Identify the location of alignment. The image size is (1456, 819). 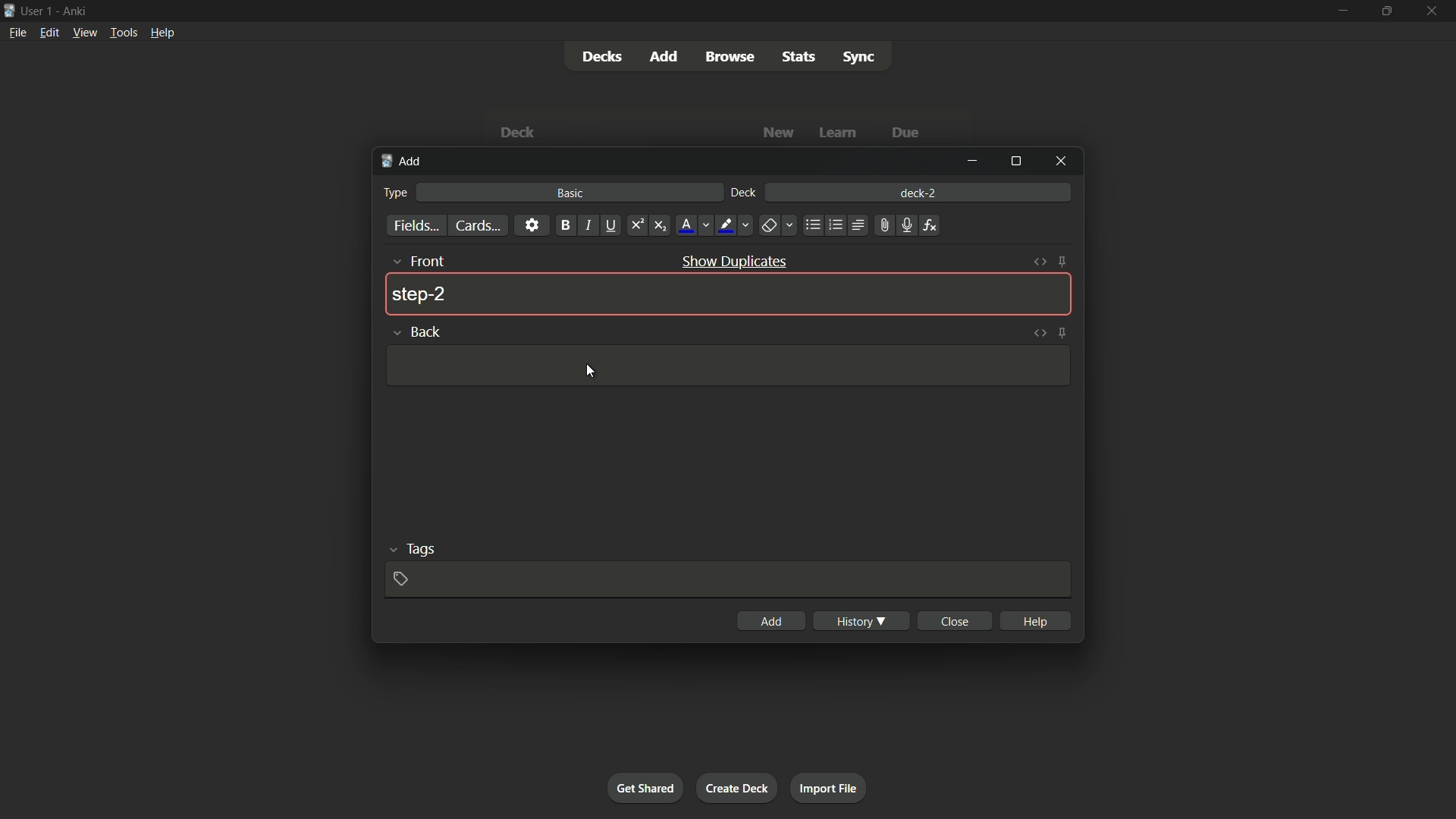
(859, 224).